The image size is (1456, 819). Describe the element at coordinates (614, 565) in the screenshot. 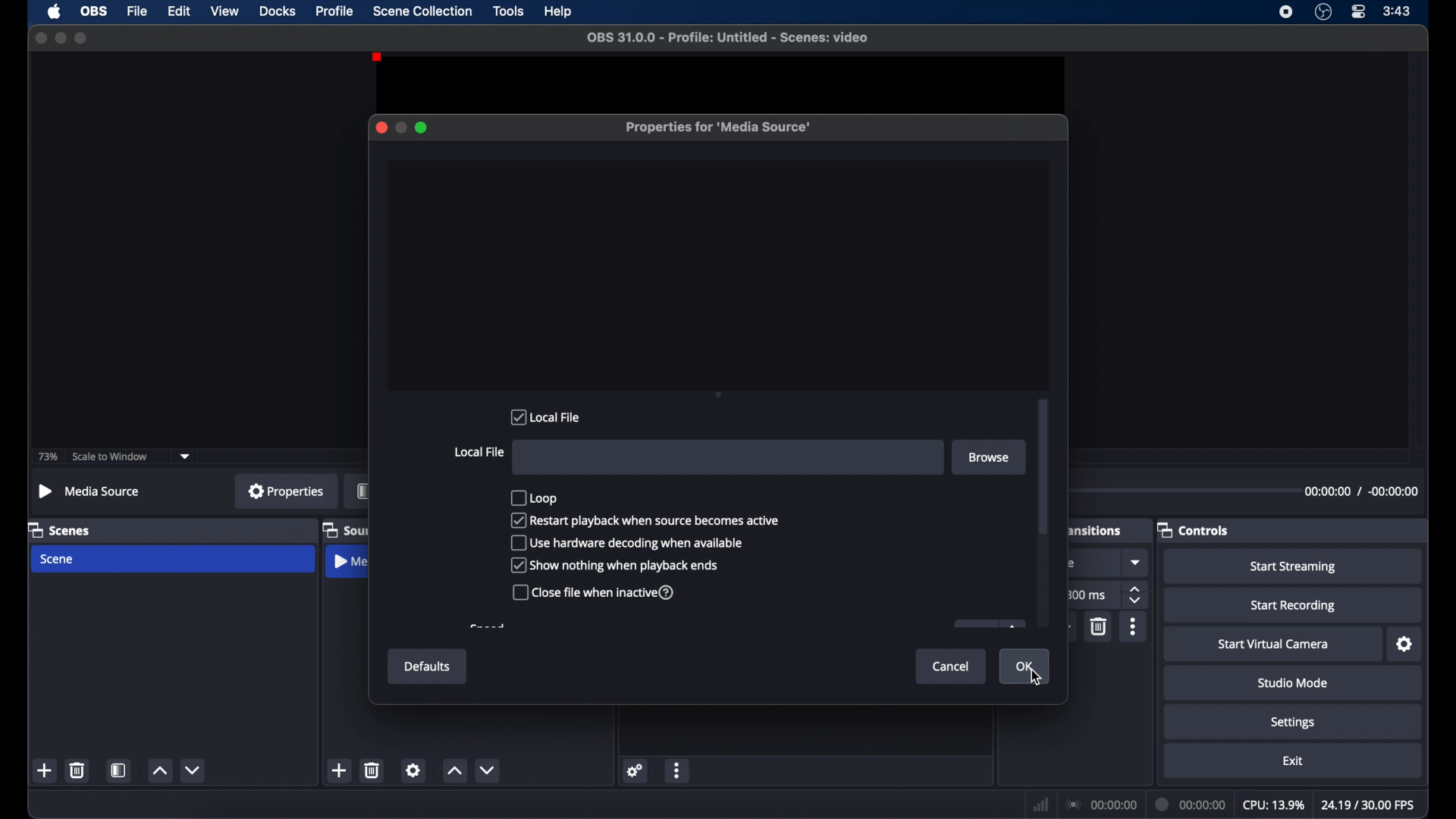

I see `show nothing when playback ends` at that location.